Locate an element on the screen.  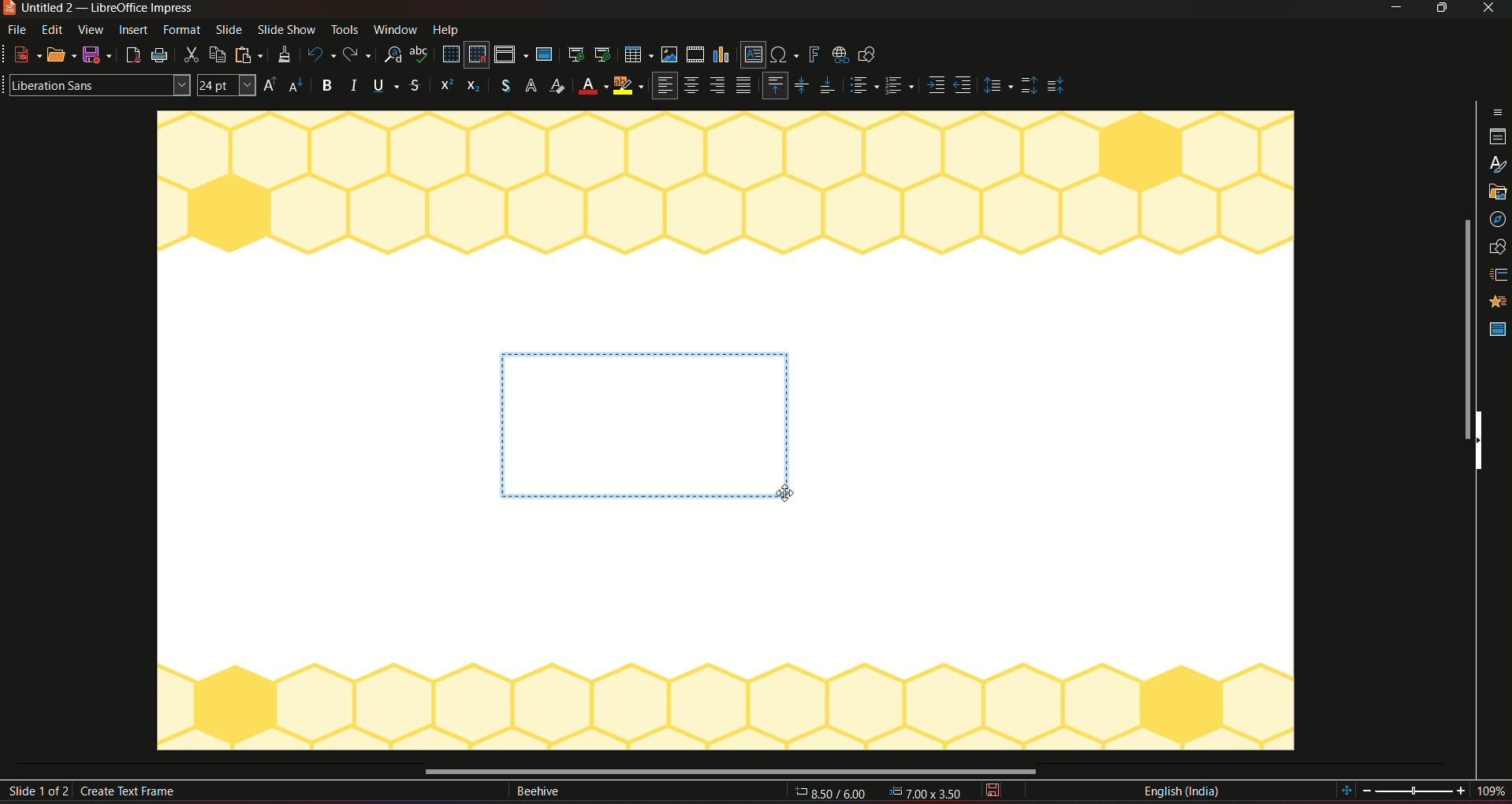
snap to grid is located at coordinates (478, 55).